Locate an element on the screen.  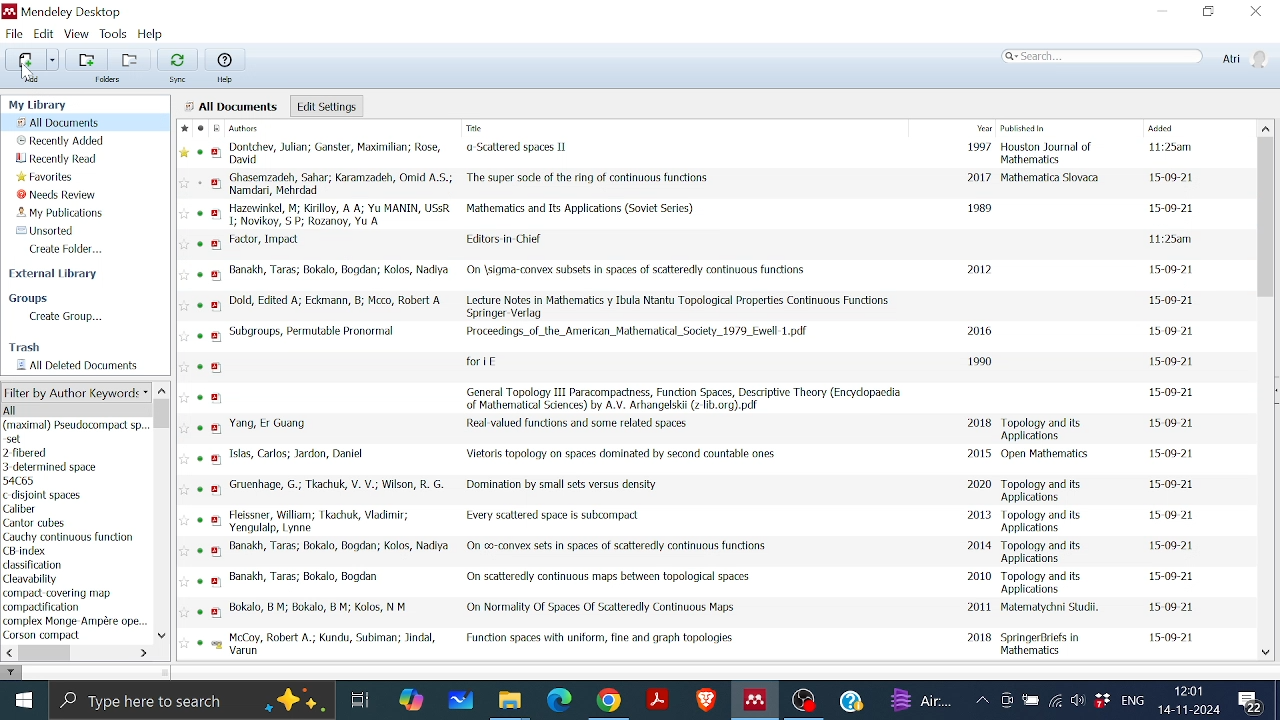
Published in is located at coordinates (1045, 551).